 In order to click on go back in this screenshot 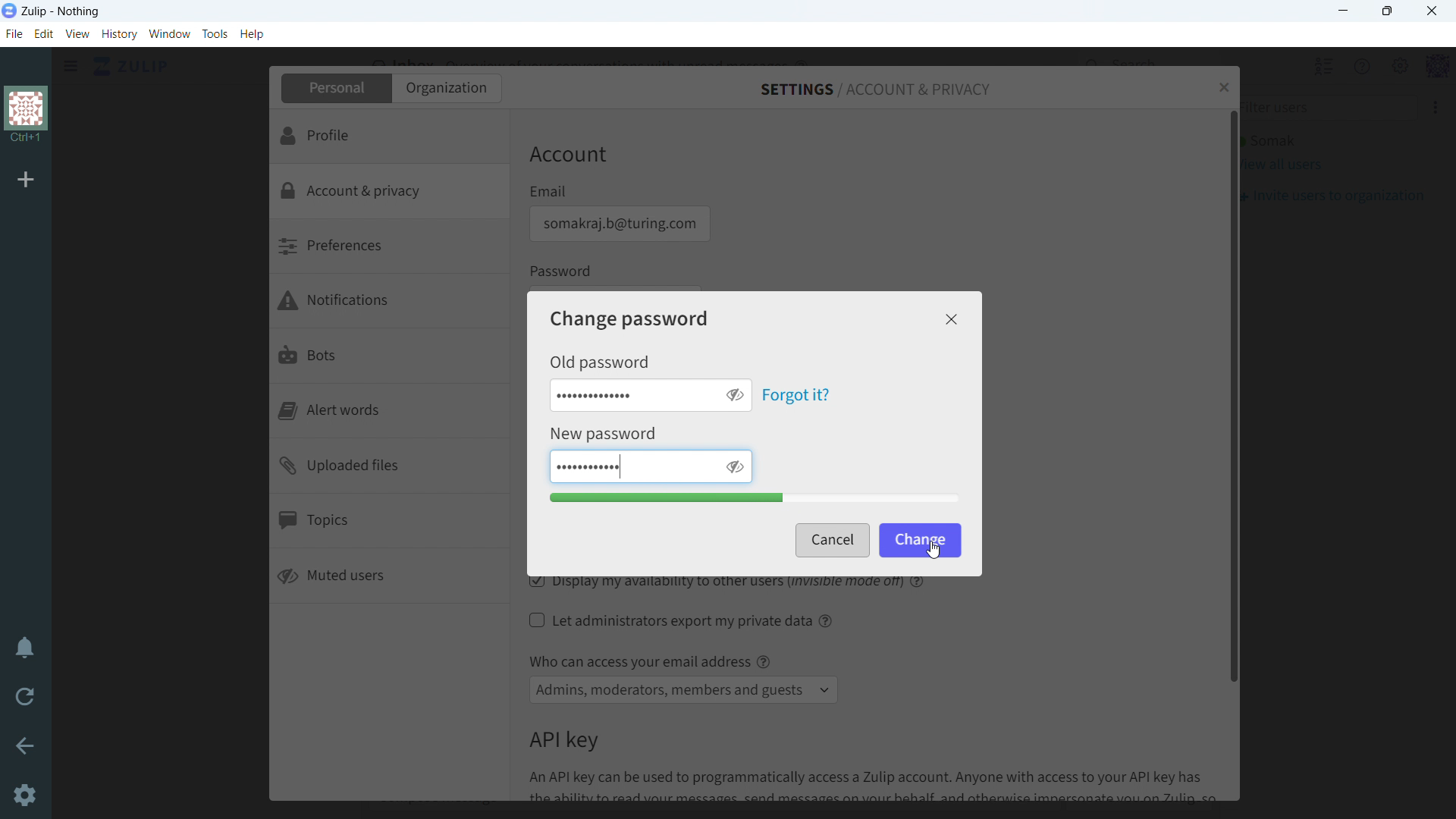, I will do `click(26, 744)`.